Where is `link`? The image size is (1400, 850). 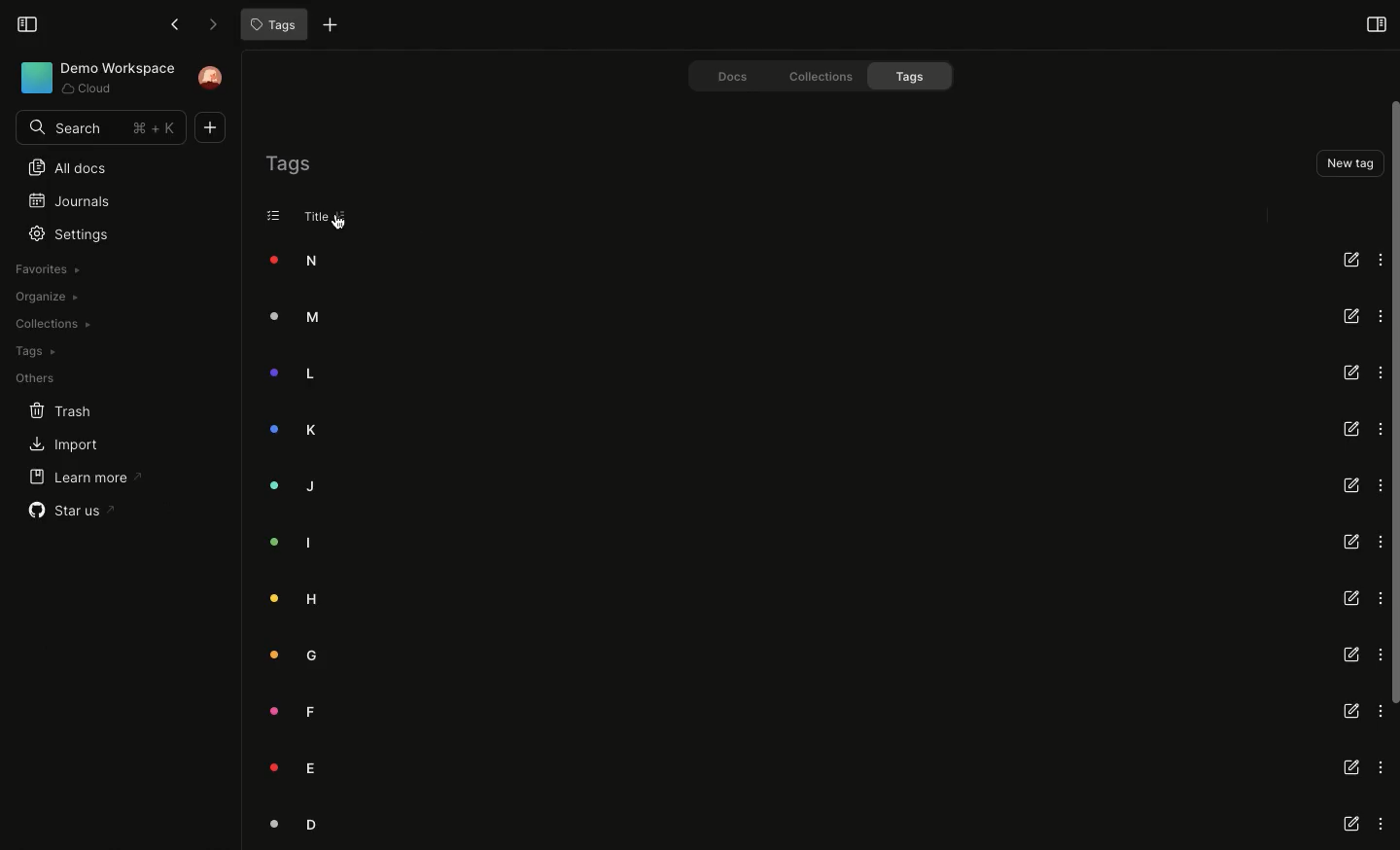
link is located at coordinates (1351, 765).